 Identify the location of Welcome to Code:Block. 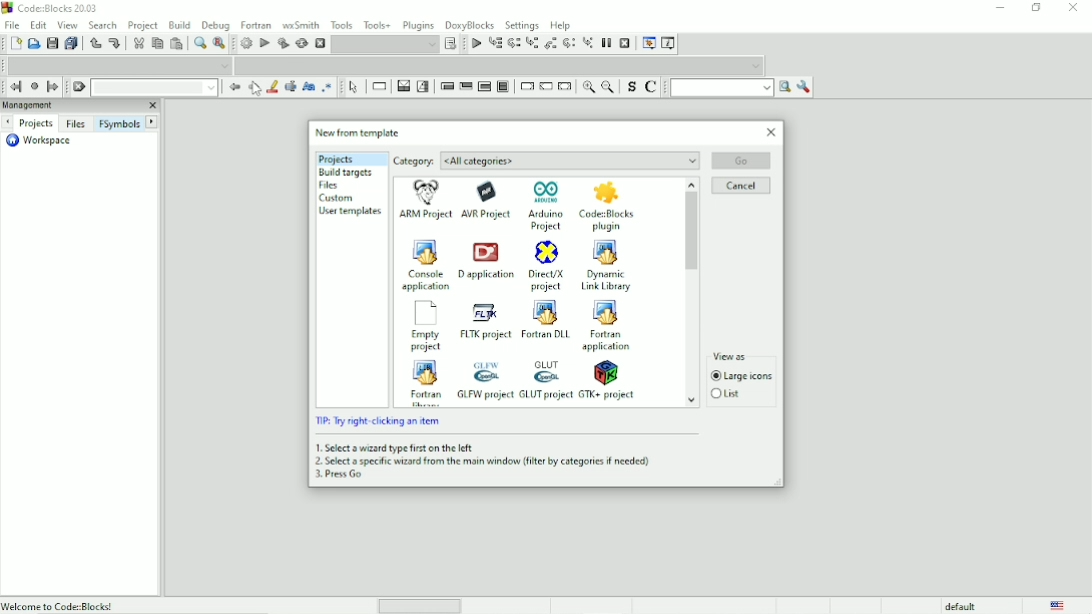
(61, 605).